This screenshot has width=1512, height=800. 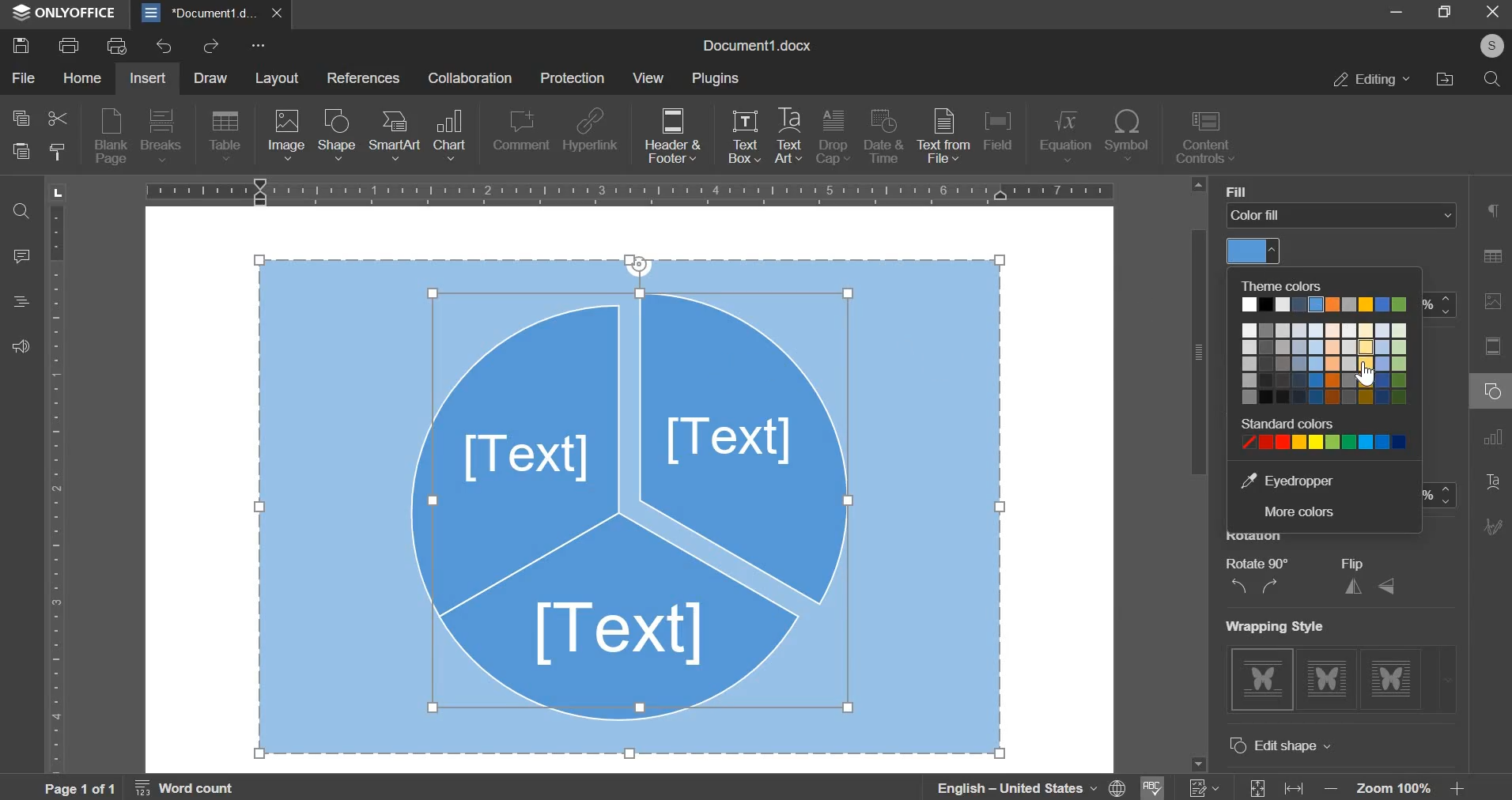 What do you see at coordinates (1199, 477) in the screenshot?
I see `vertical slider` at bounding box center [1199, 477].